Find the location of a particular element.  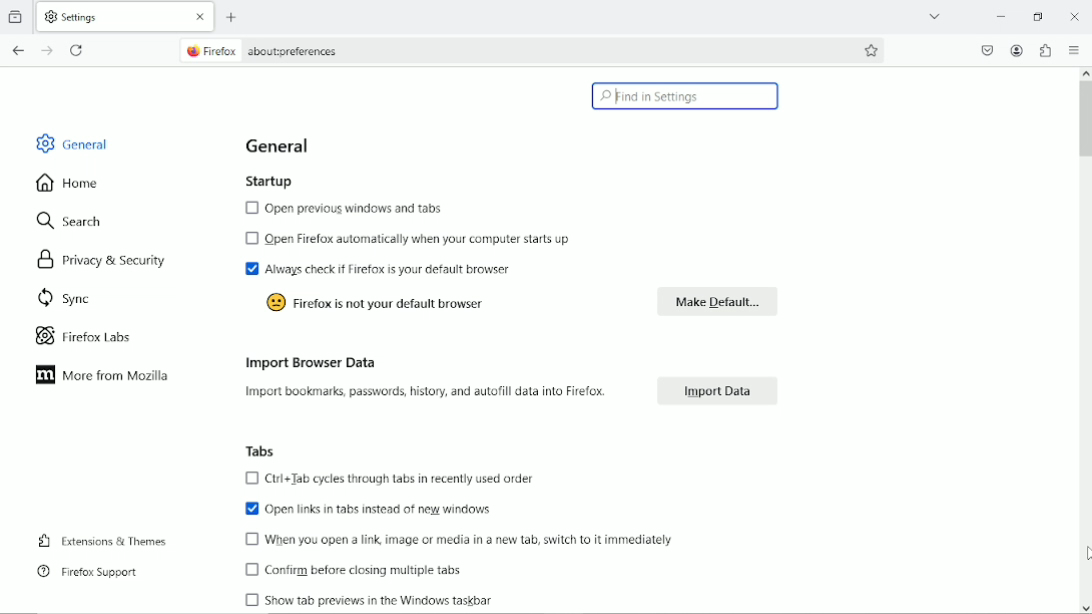

Sync is located at coordinates (59, 297).